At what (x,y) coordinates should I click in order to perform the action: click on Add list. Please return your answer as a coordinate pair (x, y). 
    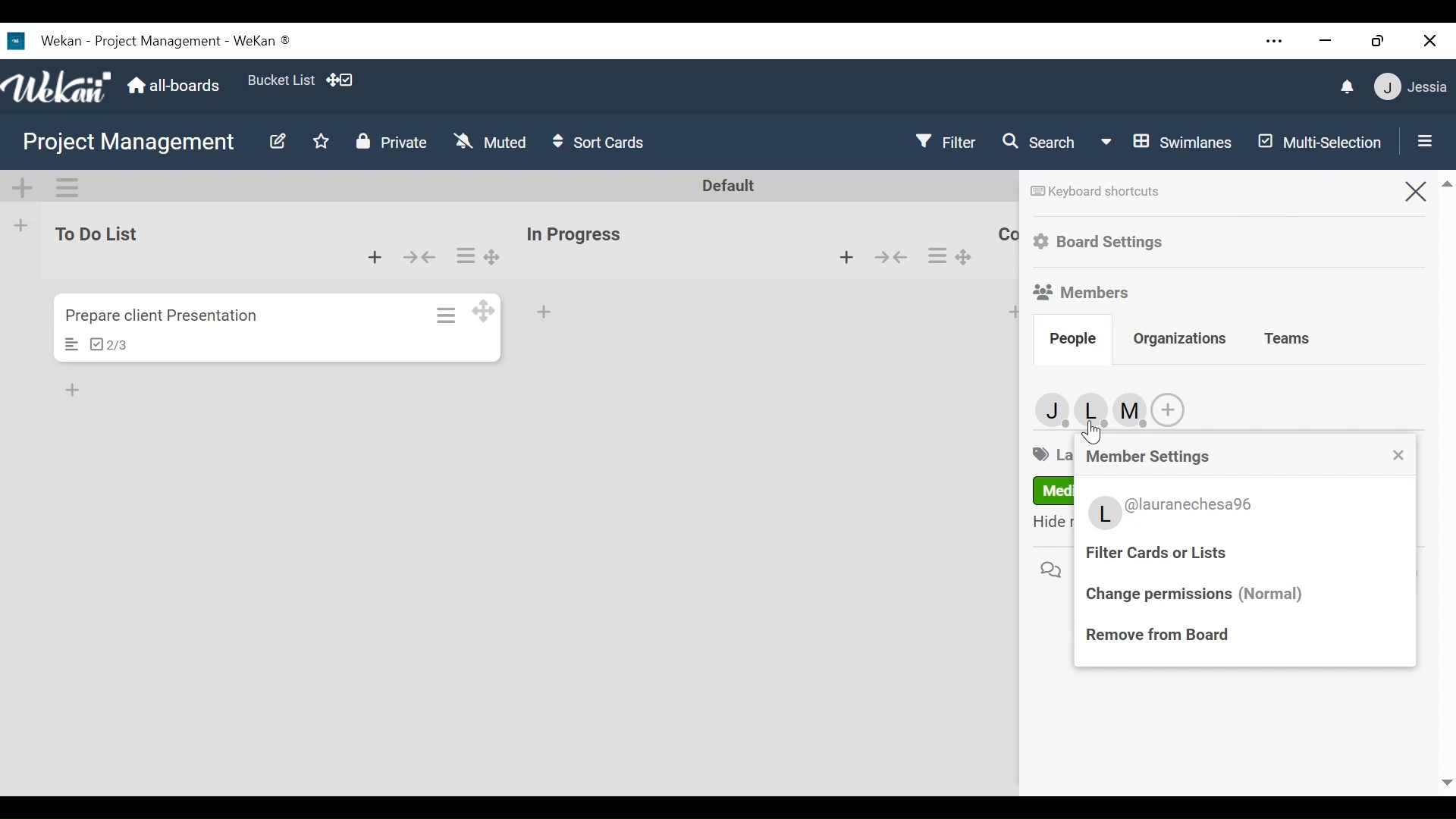
    Looking at the image, I should click on (21, 225).